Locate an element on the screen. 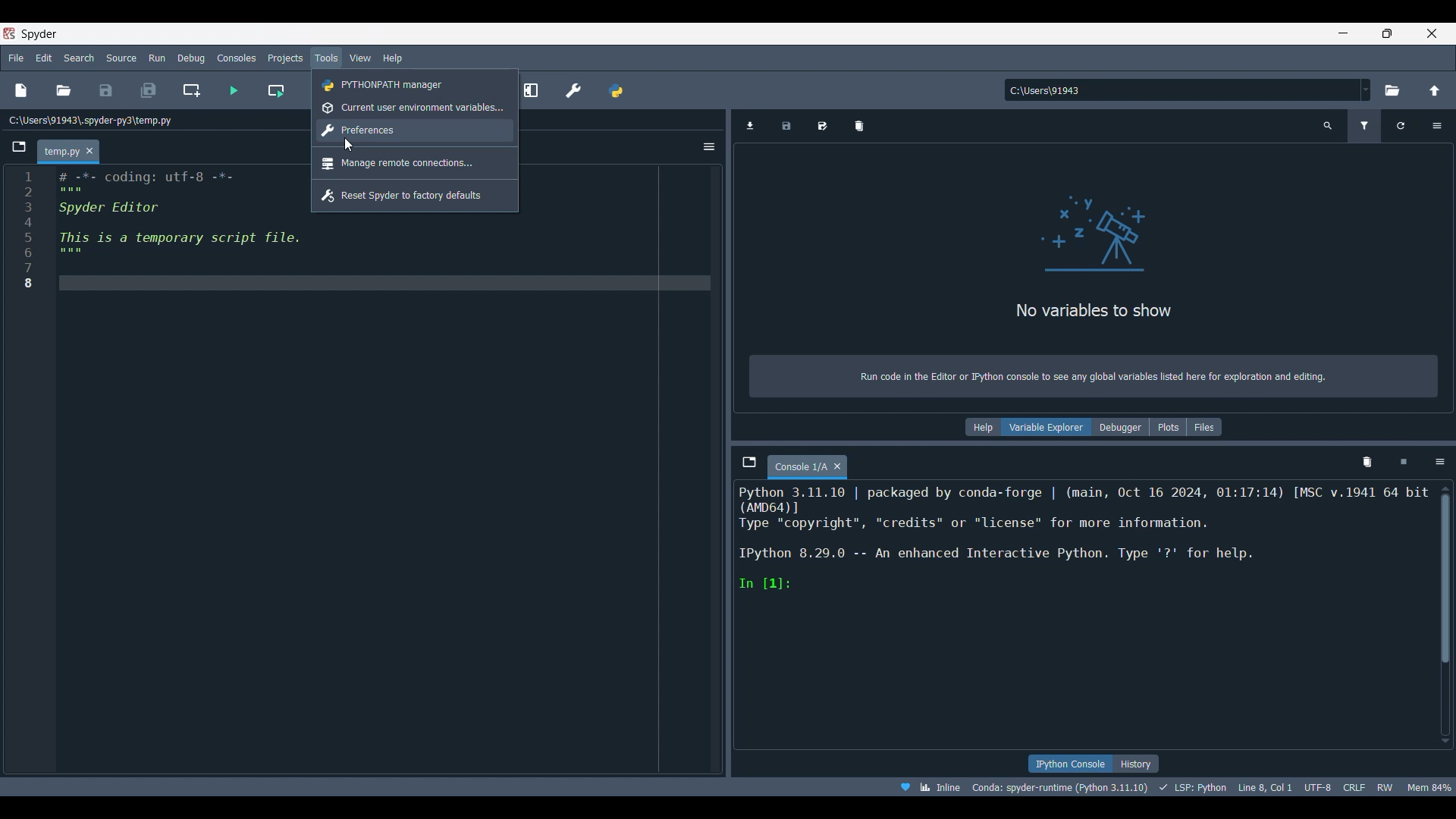 The width and height of the screenshot is (1456, 819). Inline is located at coordinates (927, 787).